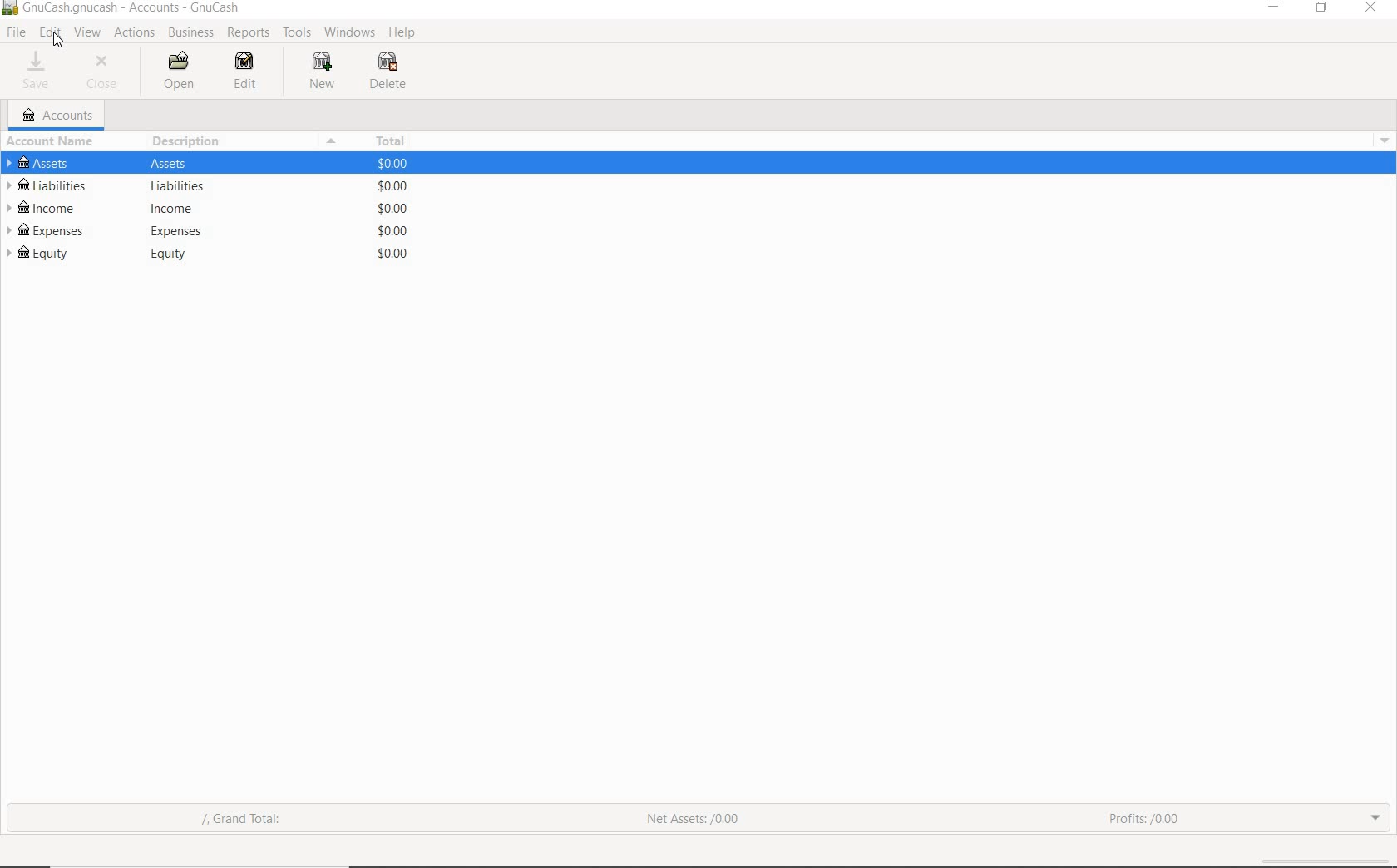 Image resolution: width=1397 pixels, height=868 pixels. I want to click on ACCOUNT NAME, so click(53, 143).